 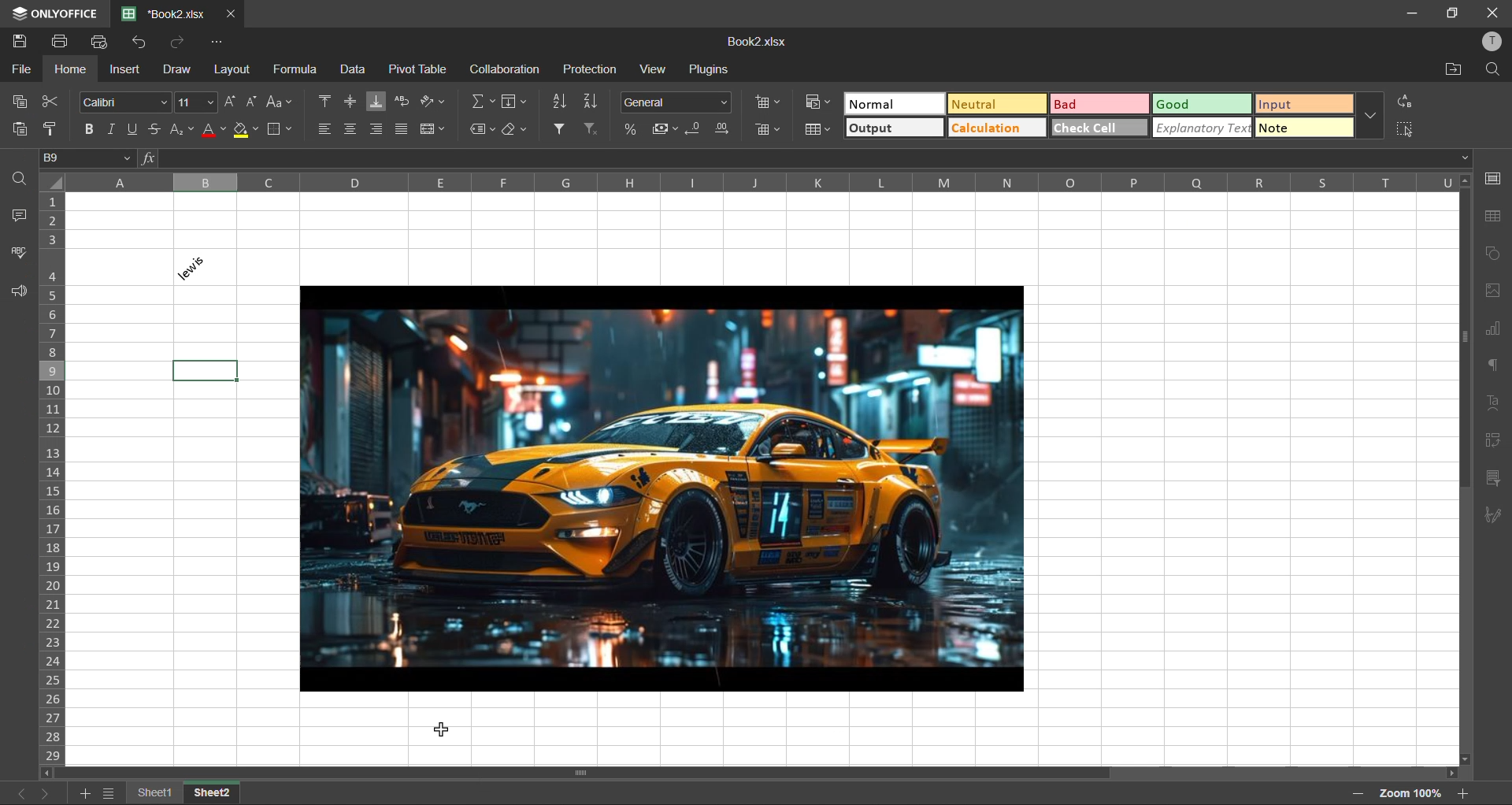 What do you see at coordinates (401, 129) in the screenshot?
I see `justified` at bounding box center [401, 129].